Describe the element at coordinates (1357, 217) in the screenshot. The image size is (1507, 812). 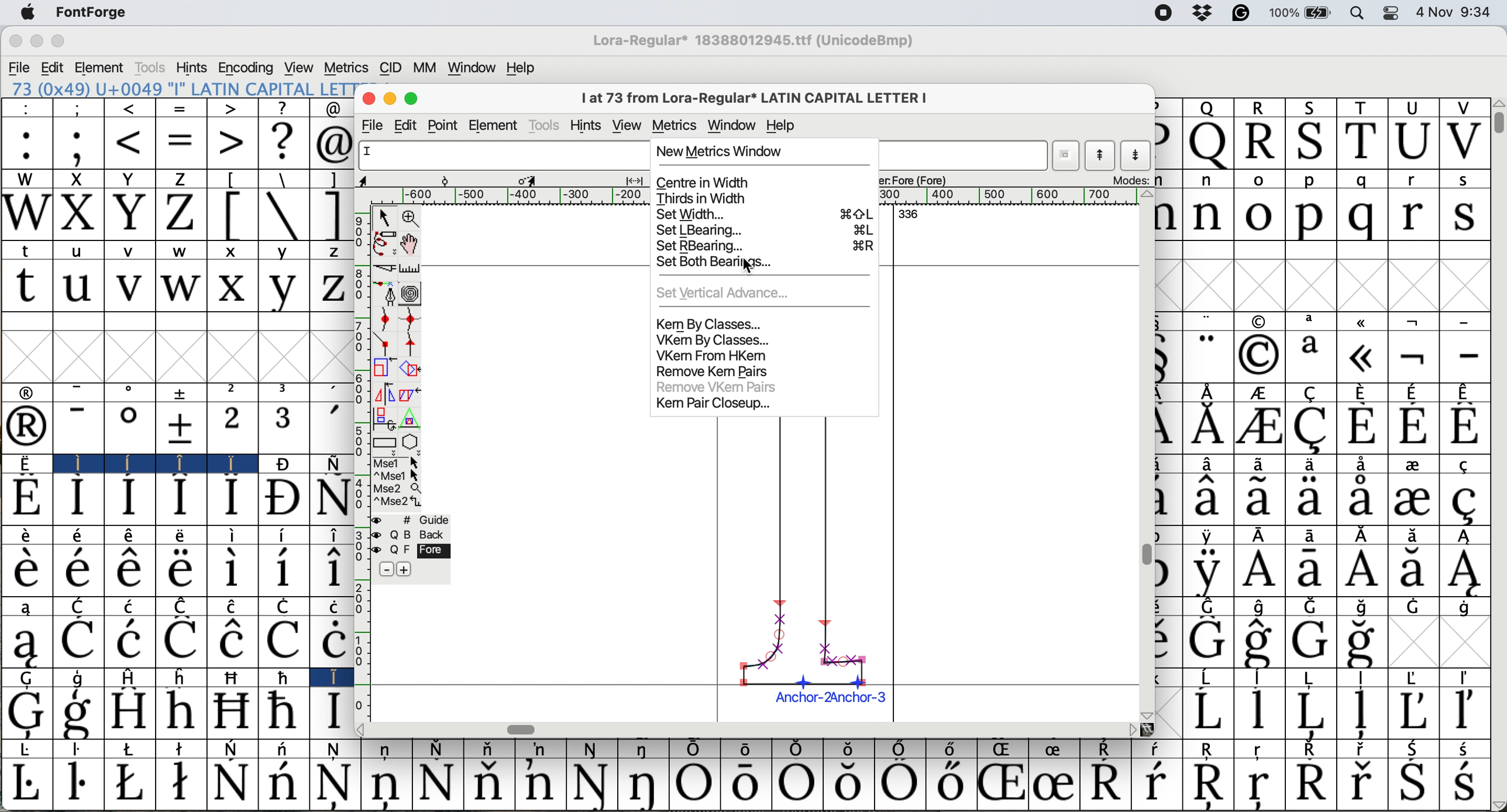
I see `q` at that location.